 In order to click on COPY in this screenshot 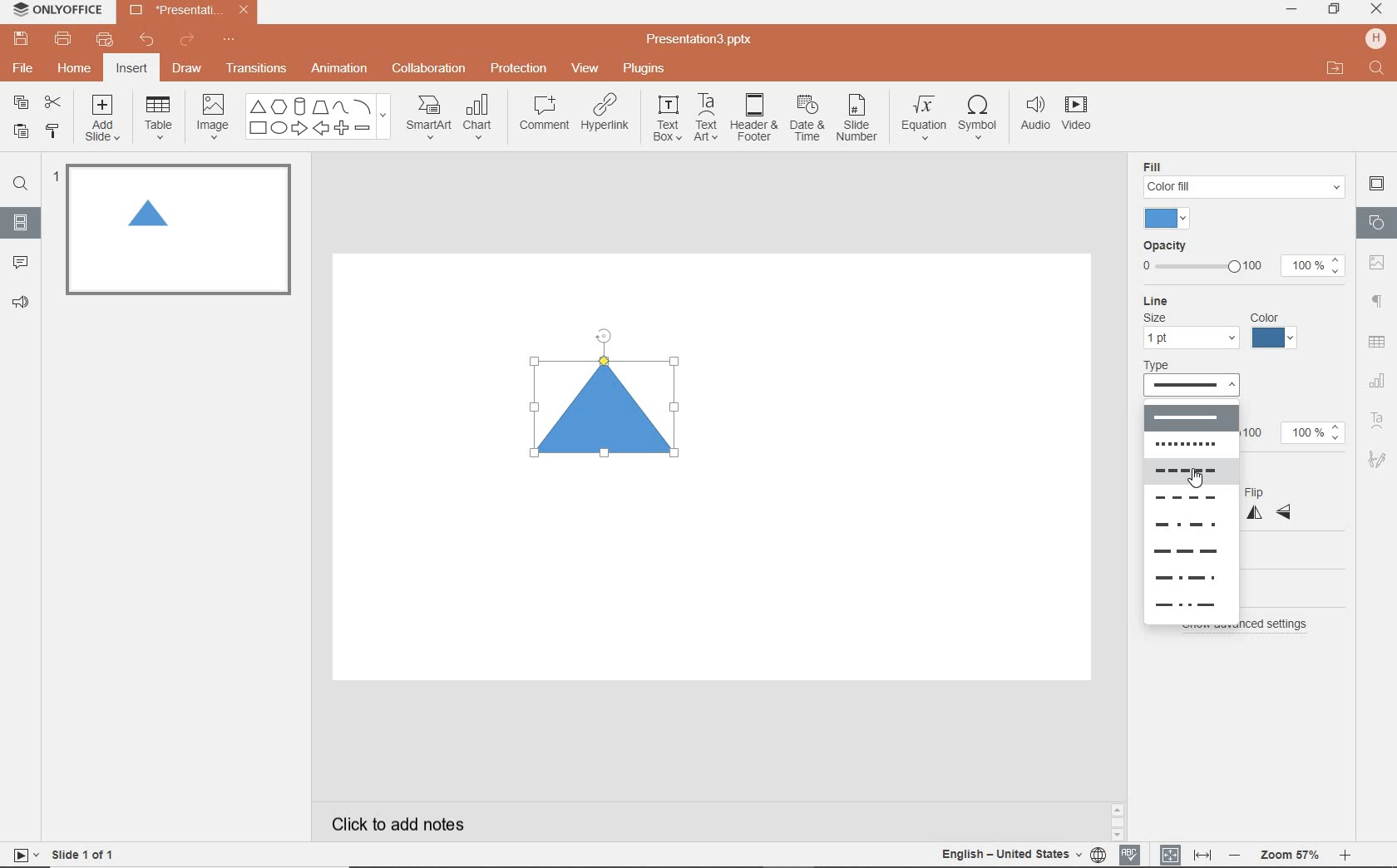, I will do `click(22, 105)`.